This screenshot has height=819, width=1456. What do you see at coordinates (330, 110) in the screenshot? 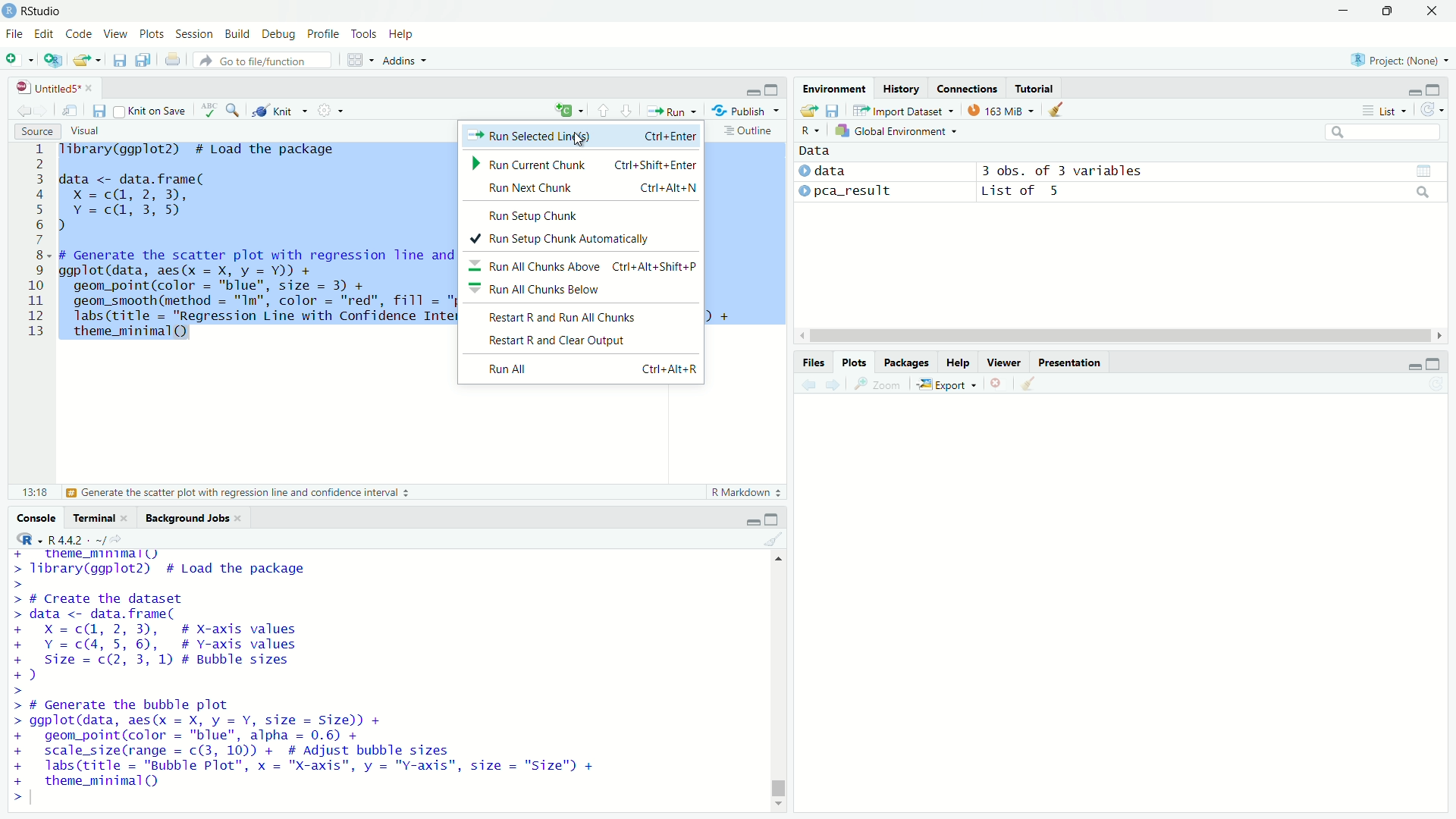
I see `More options` at bounding box center [330, 110].